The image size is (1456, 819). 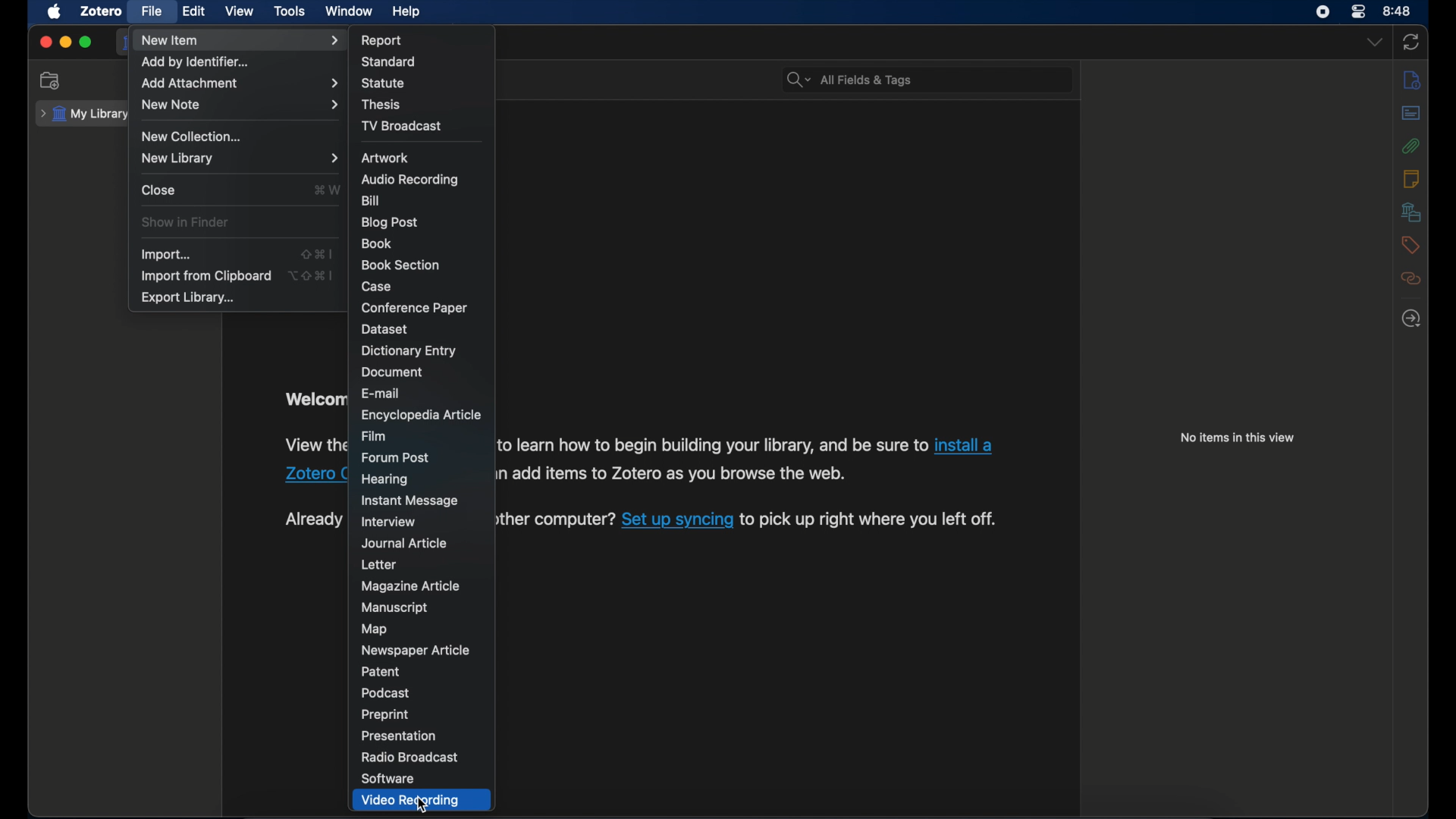 I want to click on newspaper article, so click(x=415, y=650).